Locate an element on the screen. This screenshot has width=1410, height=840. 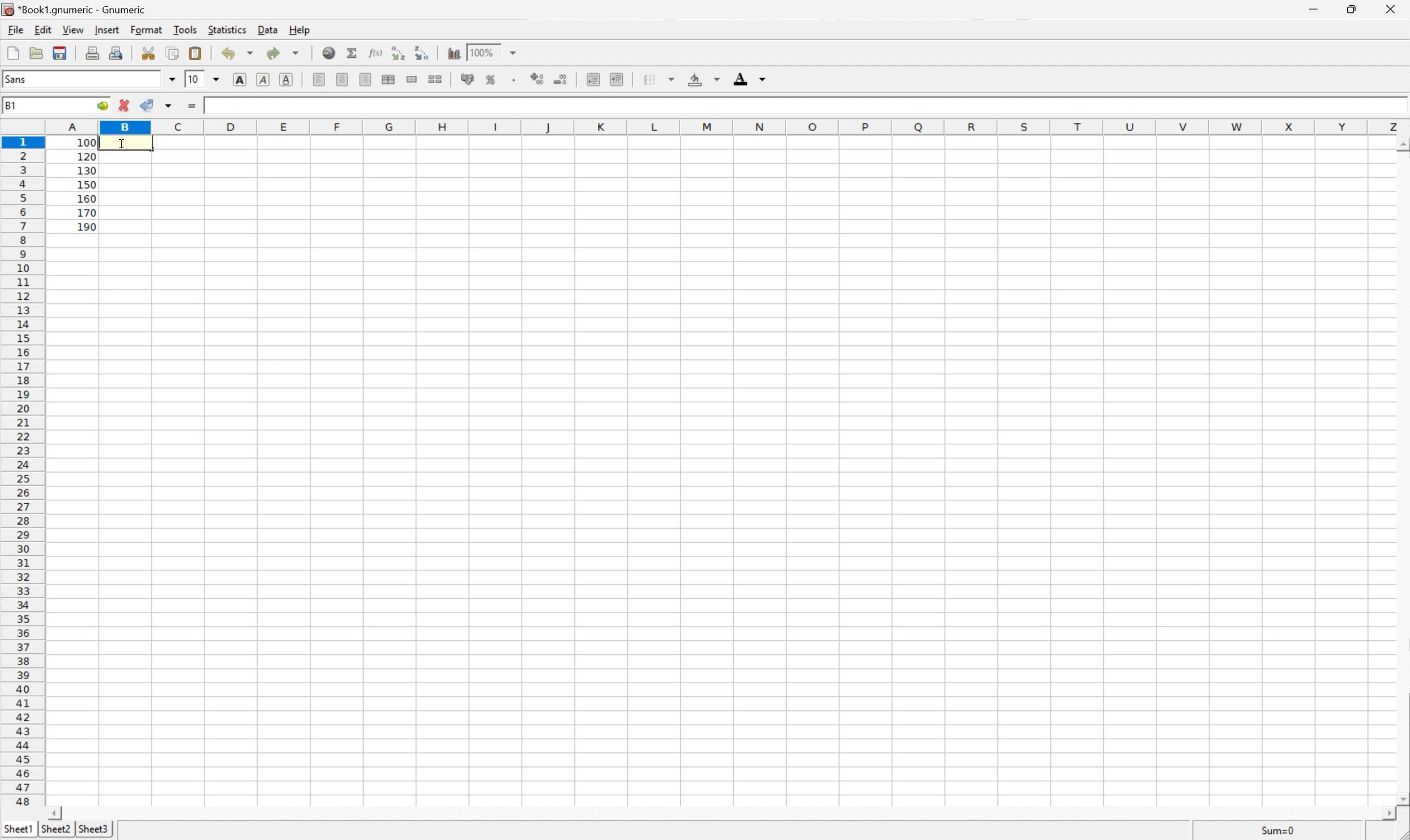
Increase the number of decimals displayed is located at coordinates (539, 79).